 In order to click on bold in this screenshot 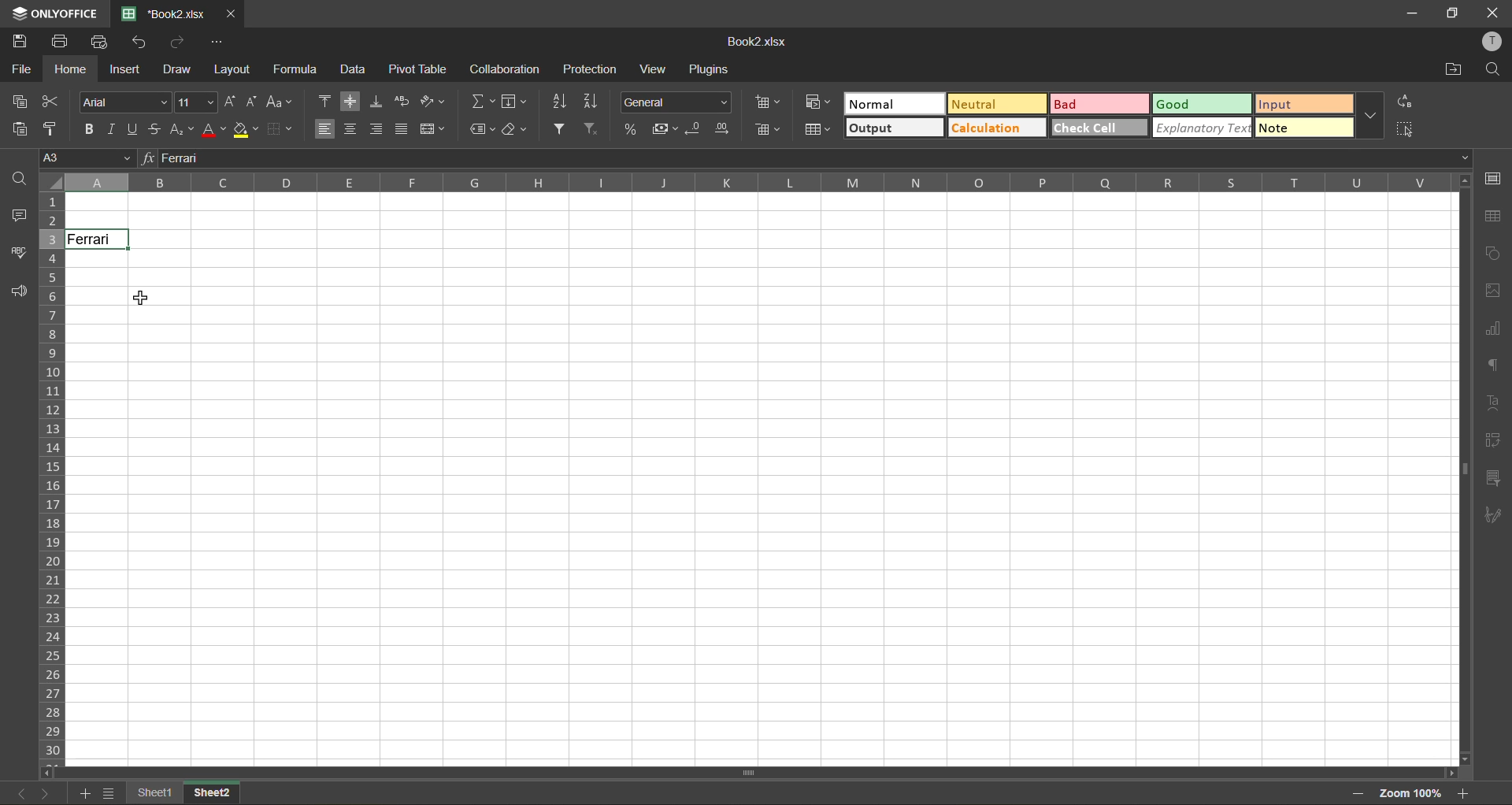, I will do `click(91, 131)`.